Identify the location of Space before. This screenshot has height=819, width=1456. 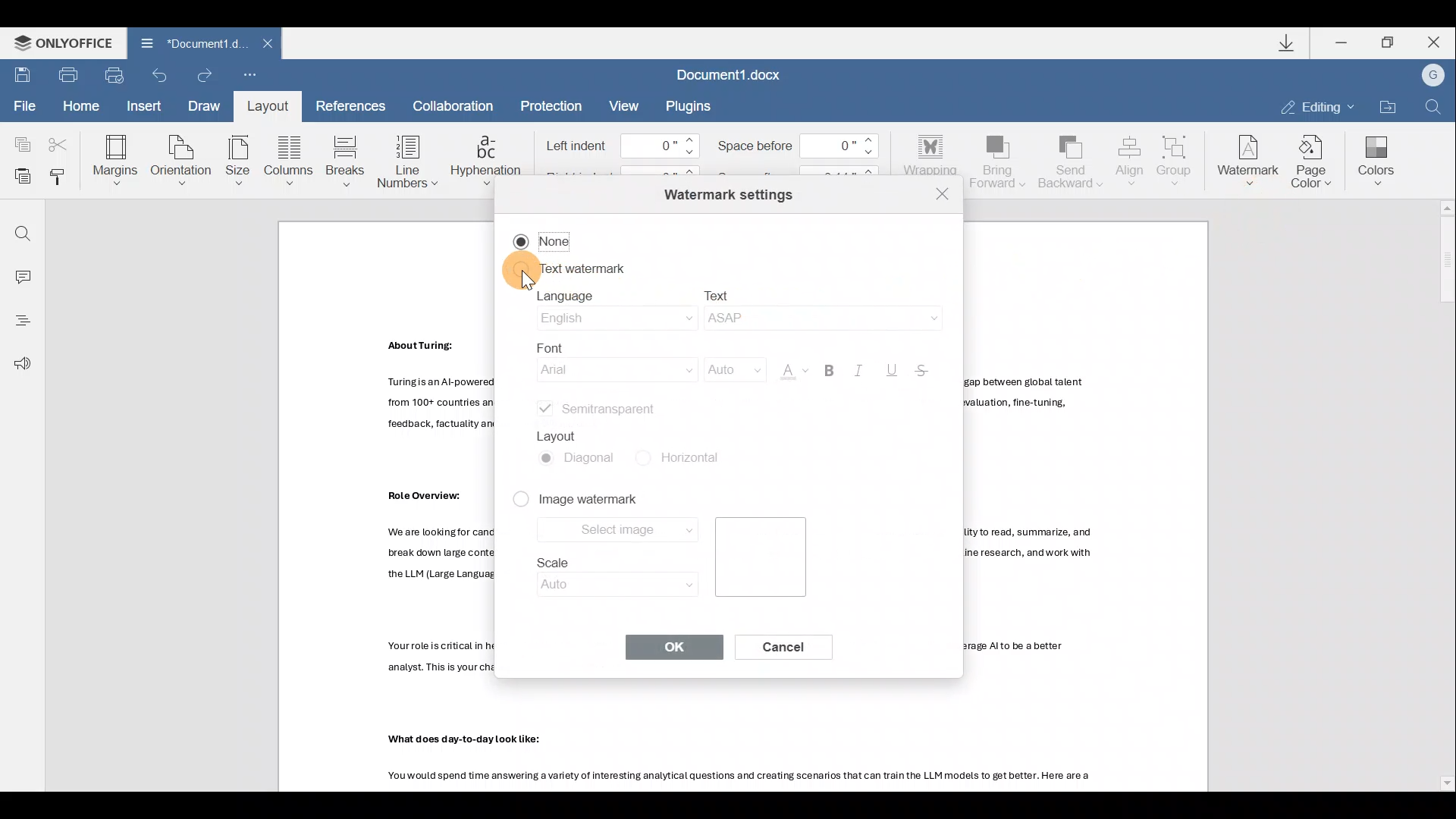
(799, 145).